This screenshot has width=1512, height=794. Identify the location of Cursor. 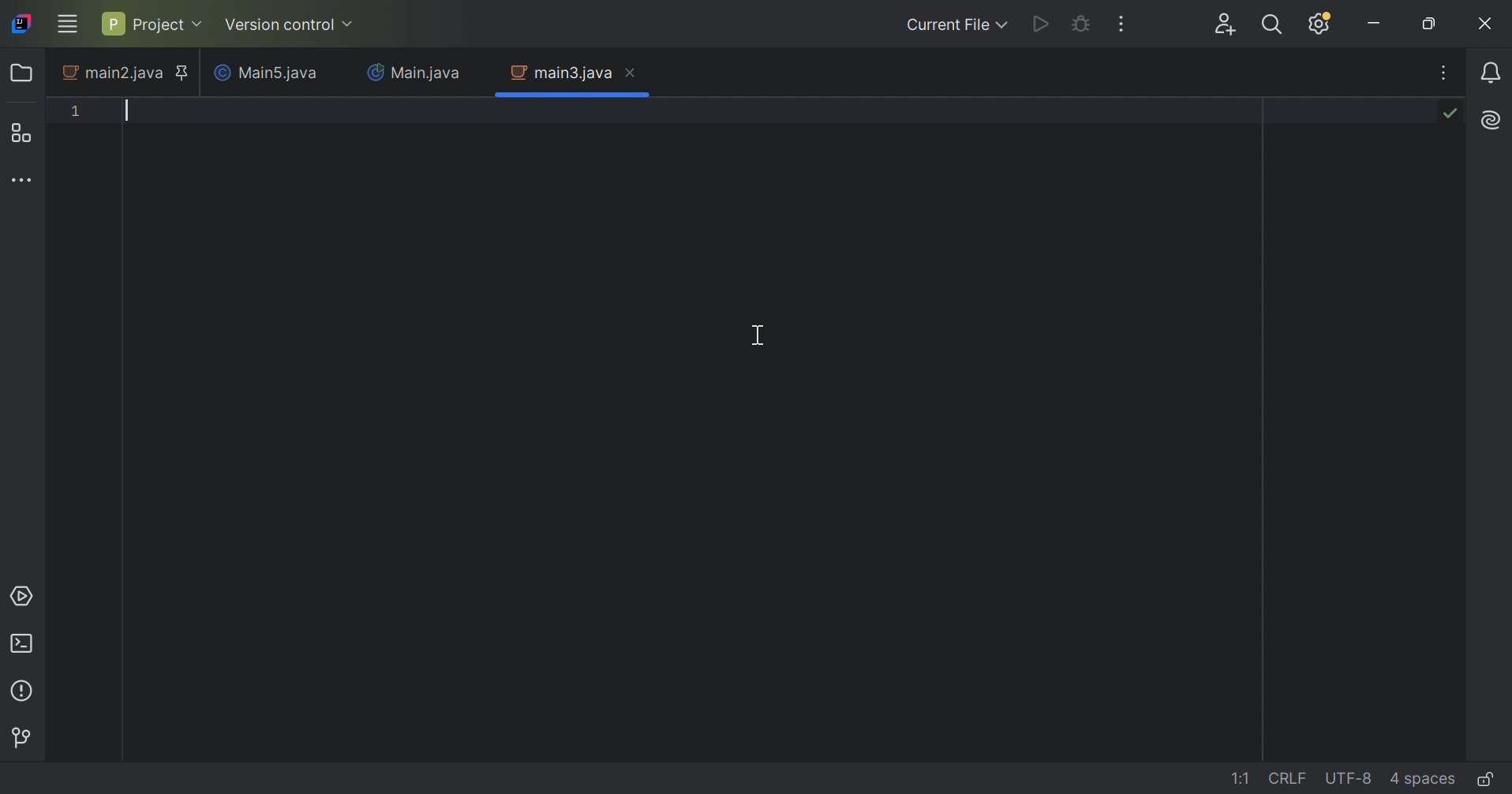
(759, 335).